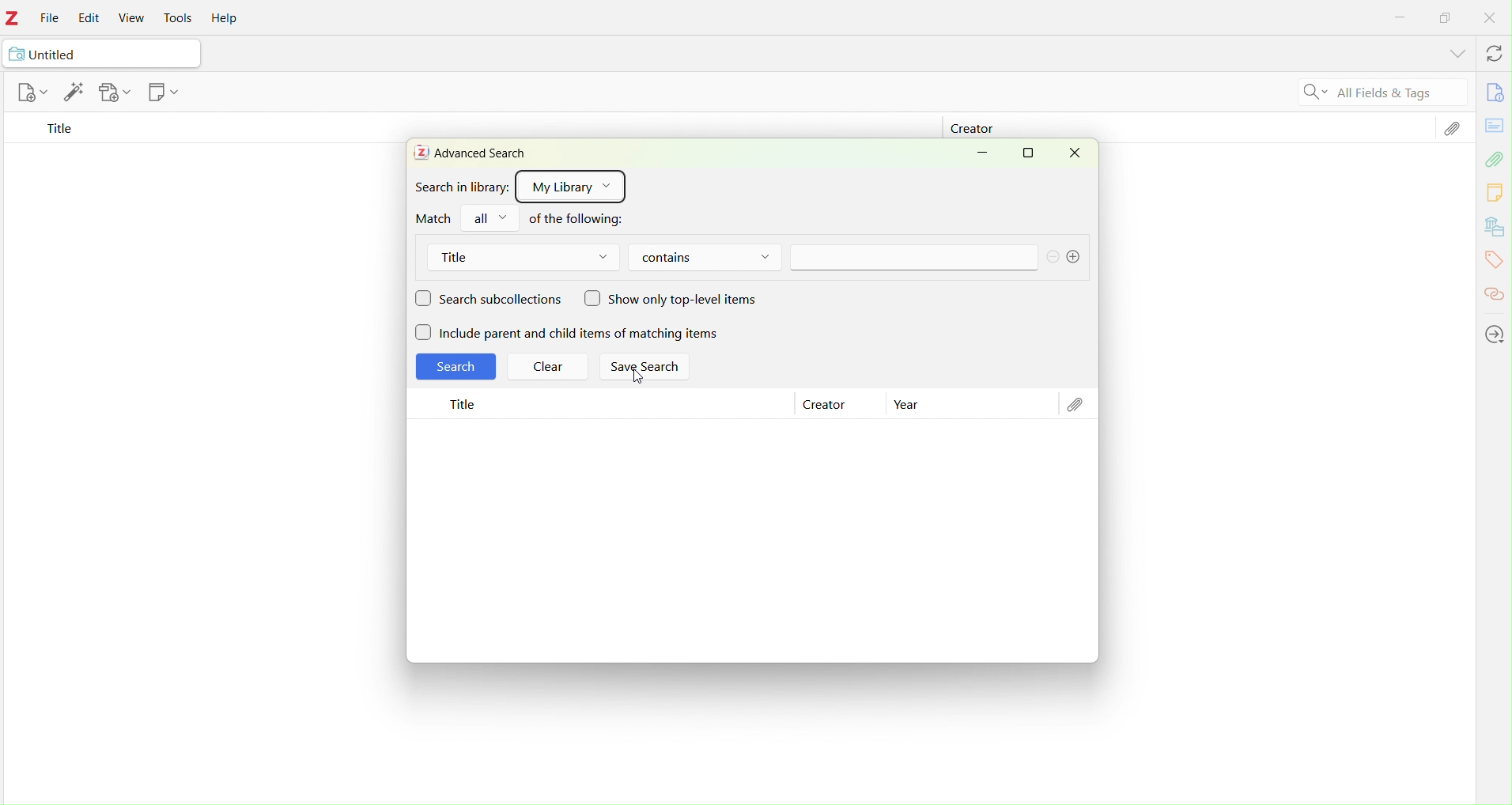  I want to click on Box, so click(1032, 154).